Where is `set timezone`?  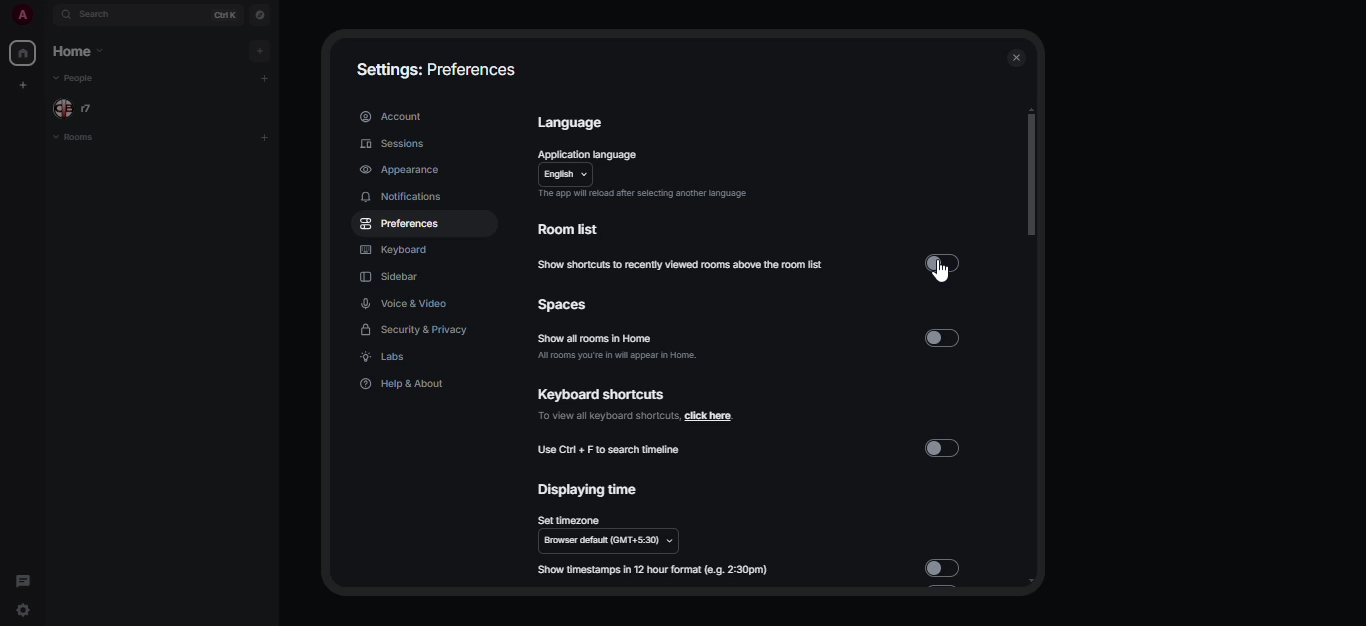 set timezone is located at coordinates (569, 520).